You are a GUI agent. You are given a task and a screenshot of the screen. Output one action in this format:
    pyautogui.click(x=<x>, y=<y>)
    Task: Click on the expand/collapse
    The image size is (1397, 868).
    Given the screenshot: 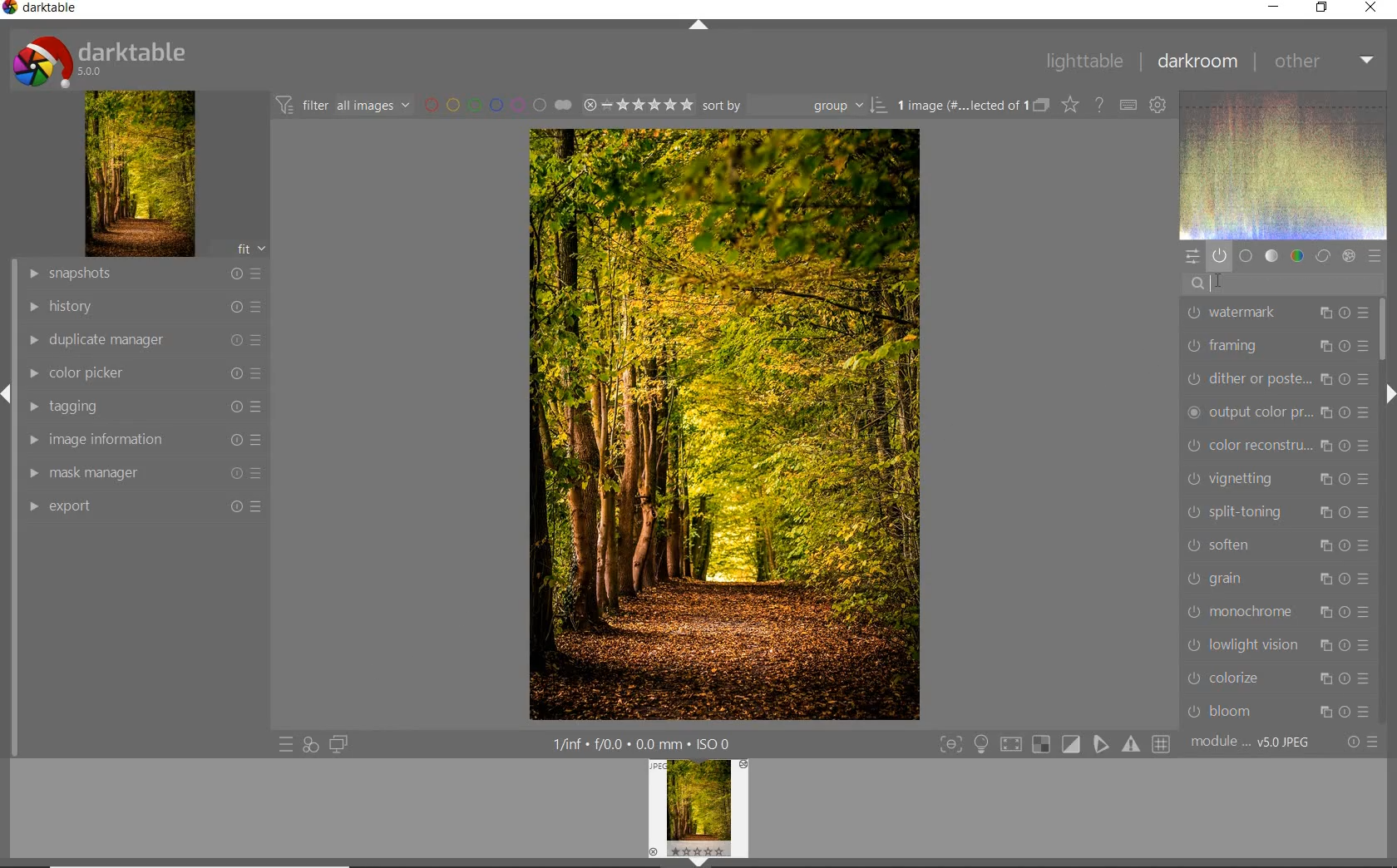 What is the action you would take?
    pyautogui.click(x=1386, y=394)
    